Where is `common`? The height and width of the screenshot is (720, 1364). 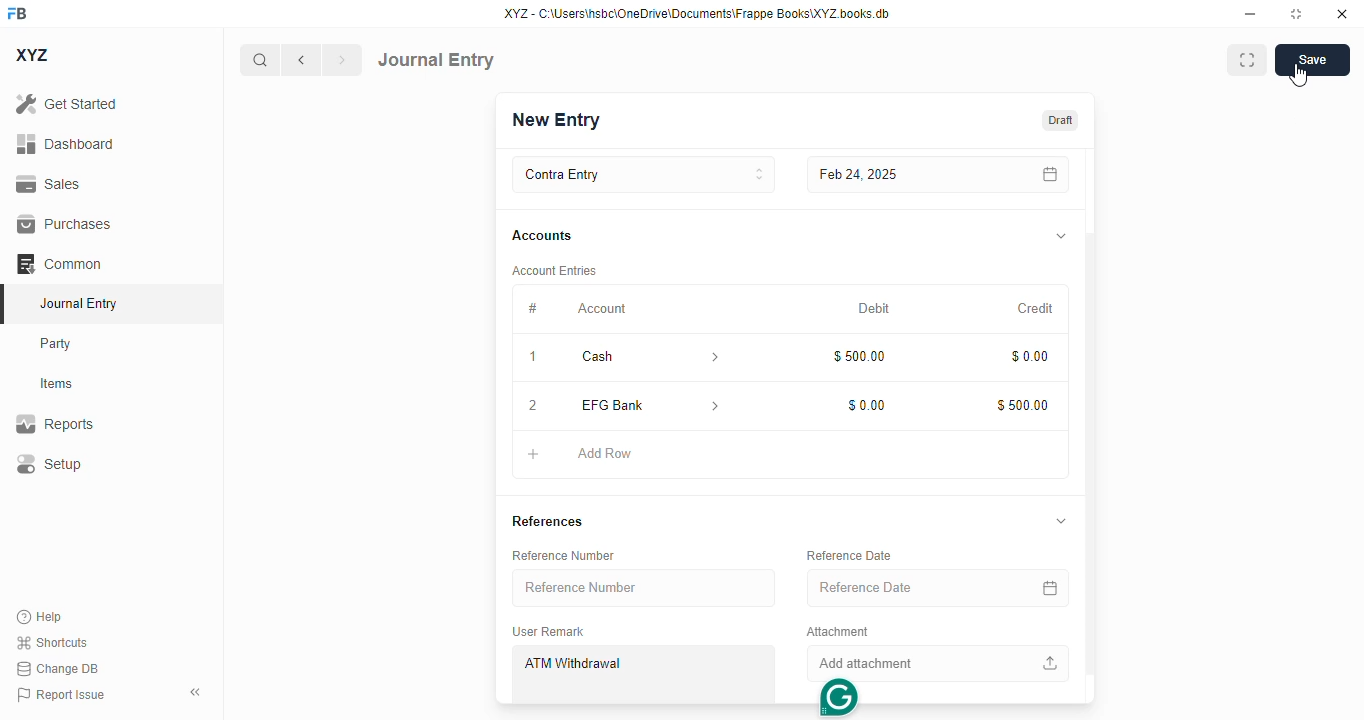
common is located at coordinates (59, 263).